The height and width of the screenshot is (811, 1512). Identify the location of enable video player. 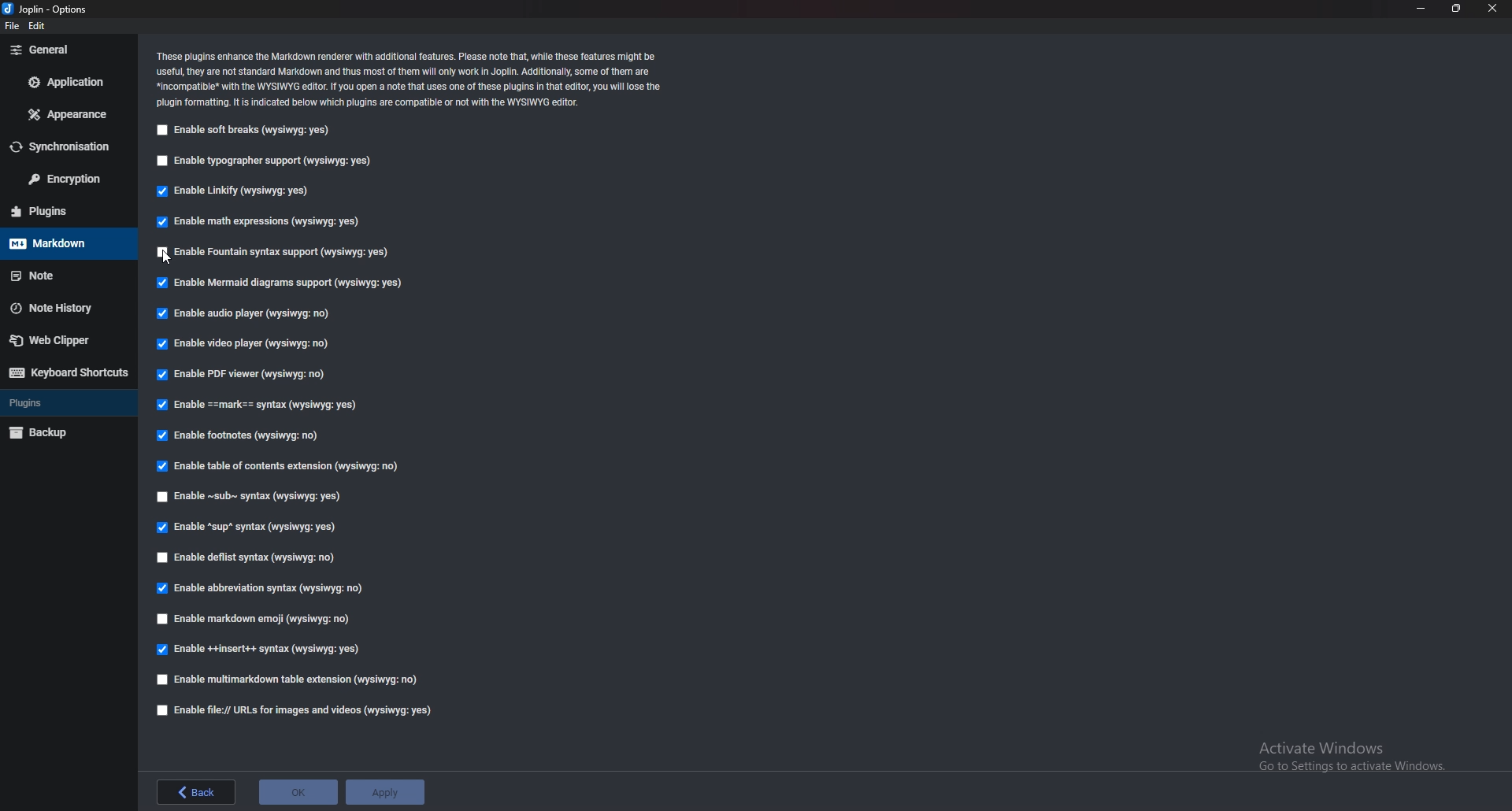
(242, 343).